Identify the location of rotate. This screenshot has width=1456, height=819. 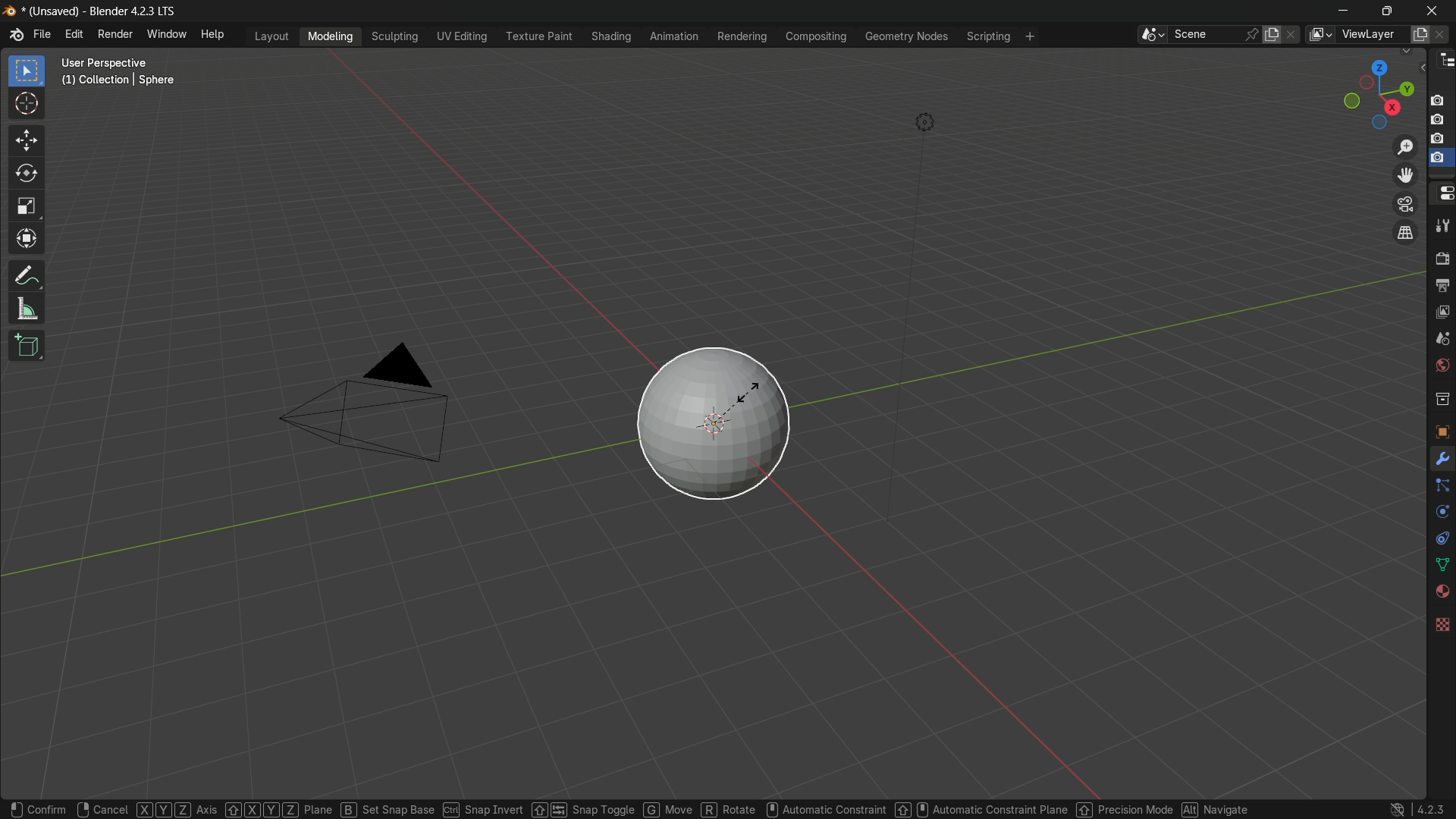
(27, 176).